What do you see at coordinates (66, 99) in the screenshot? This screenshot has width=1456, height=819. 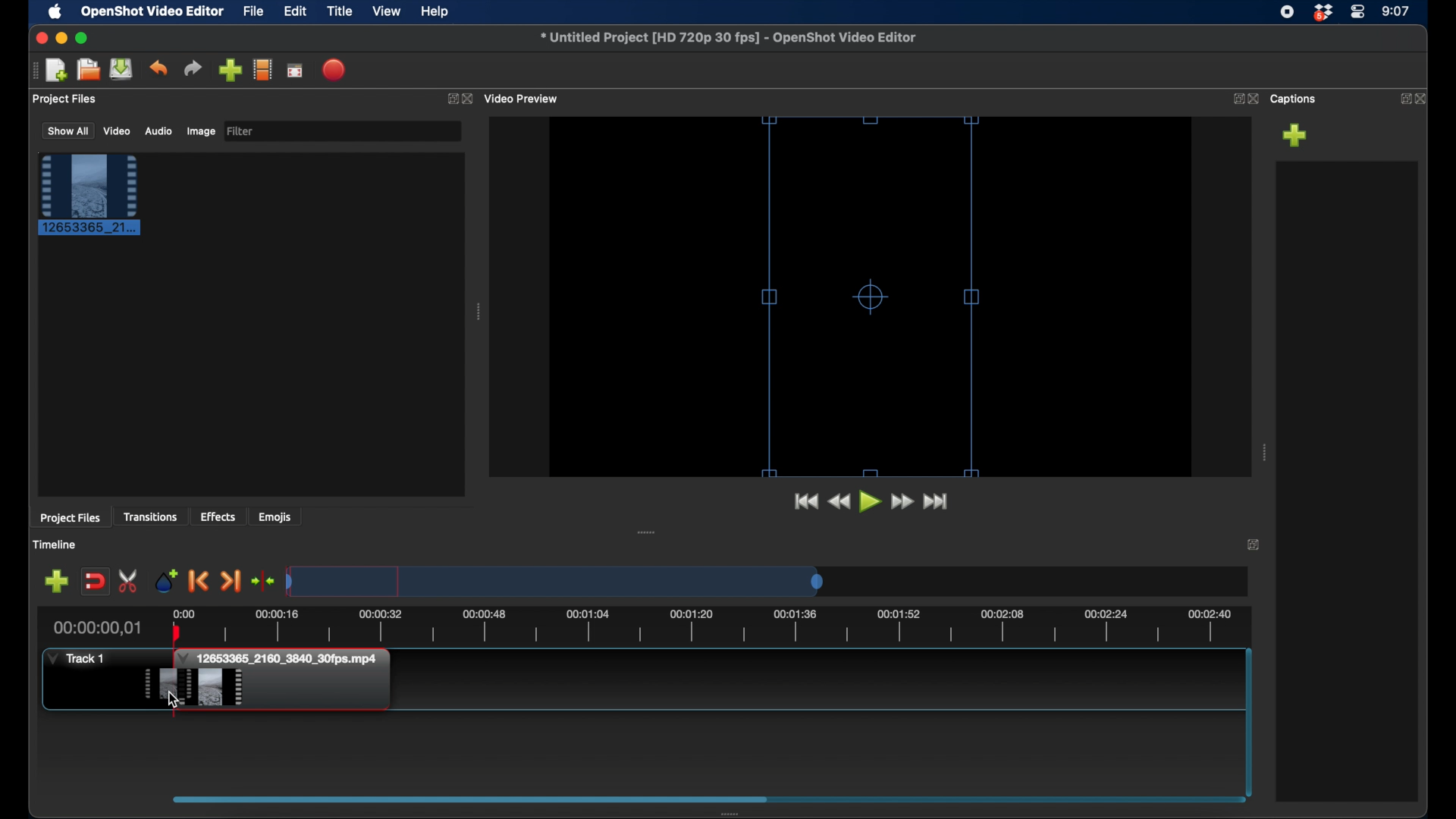 I see `project files` at bounding box center [66, 99].